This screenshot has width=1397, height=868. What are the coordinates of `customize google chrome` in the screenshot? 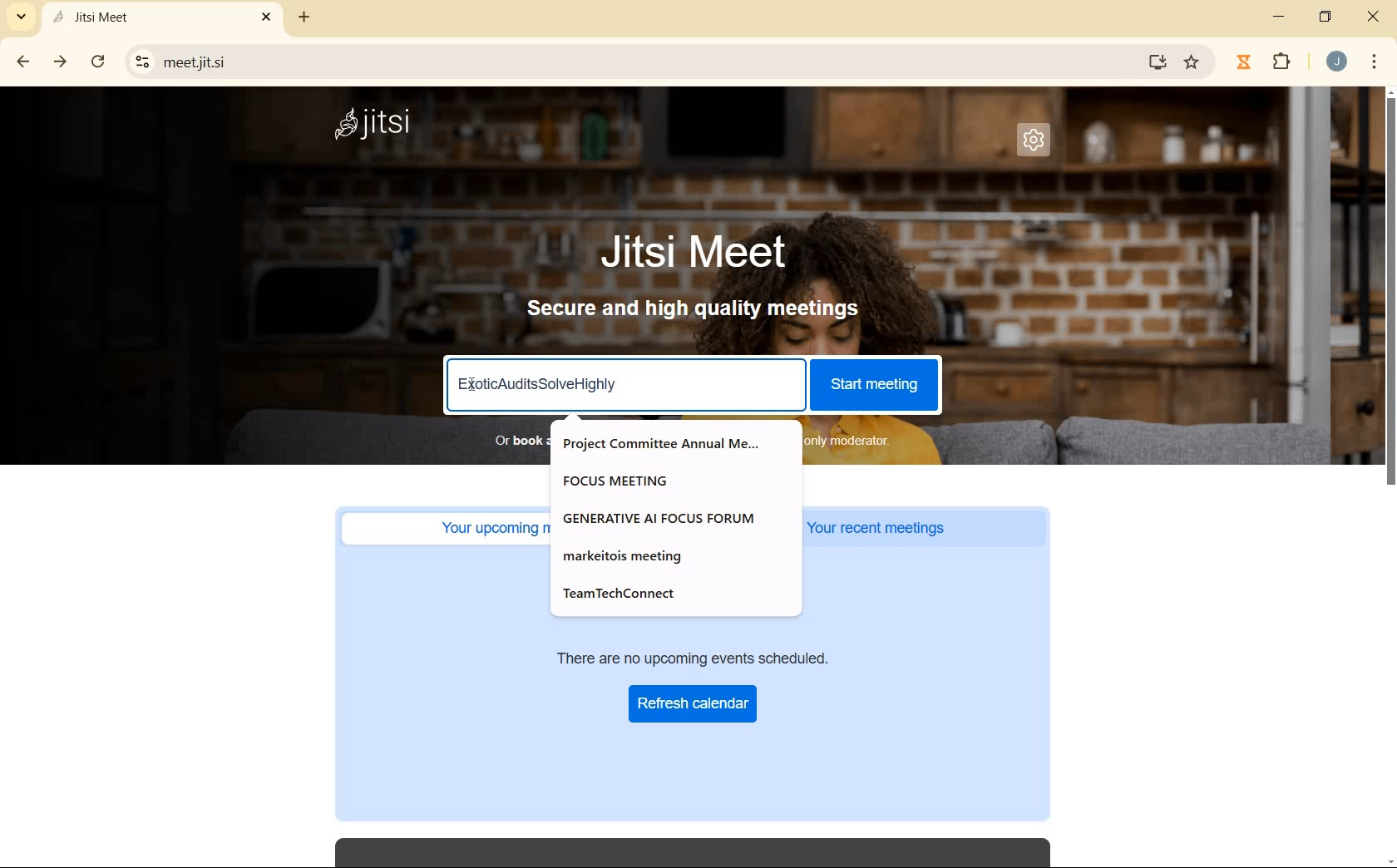 It's located at (1375, 62).